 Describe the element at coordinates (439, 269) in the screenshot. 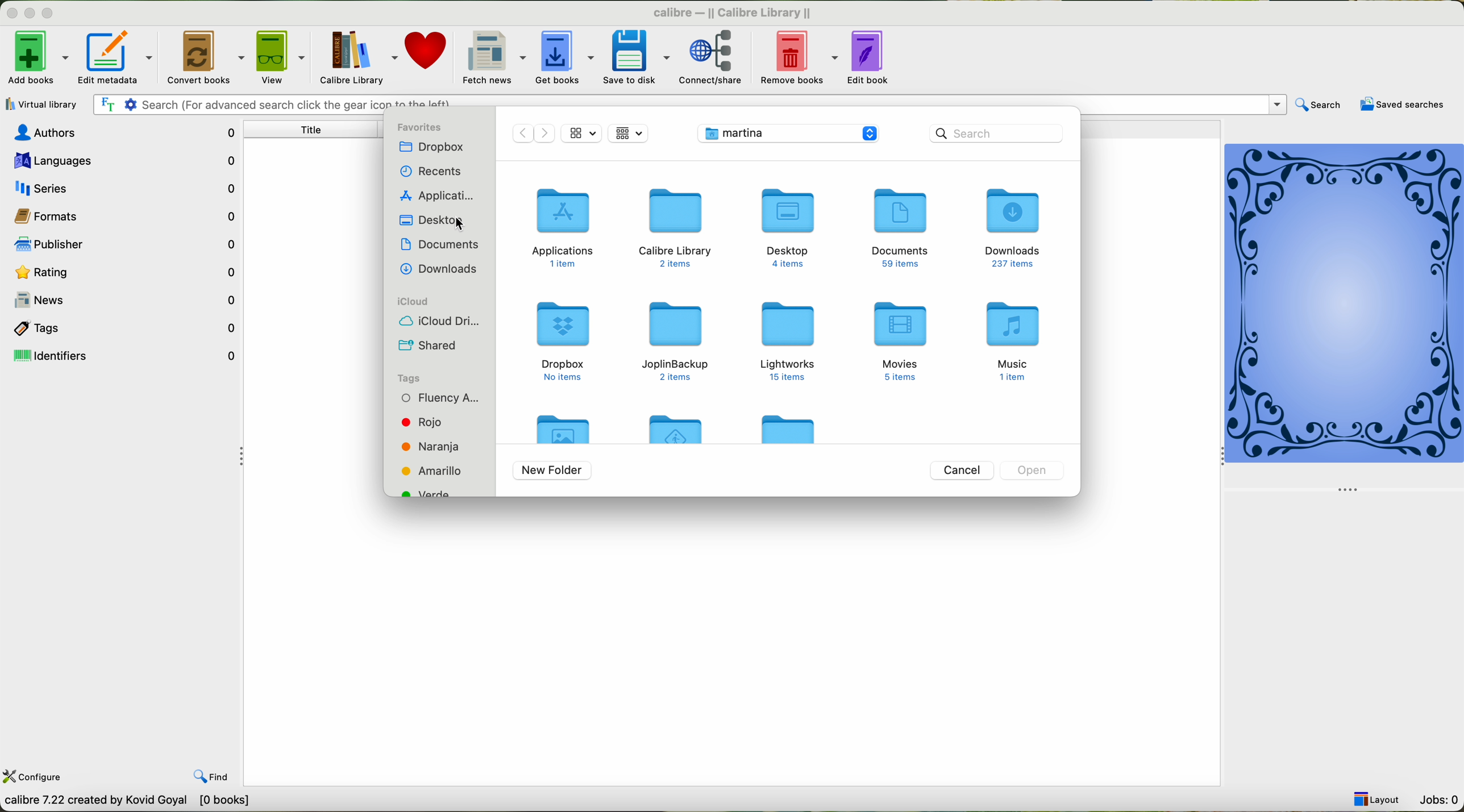

I see `downloads` at that location.